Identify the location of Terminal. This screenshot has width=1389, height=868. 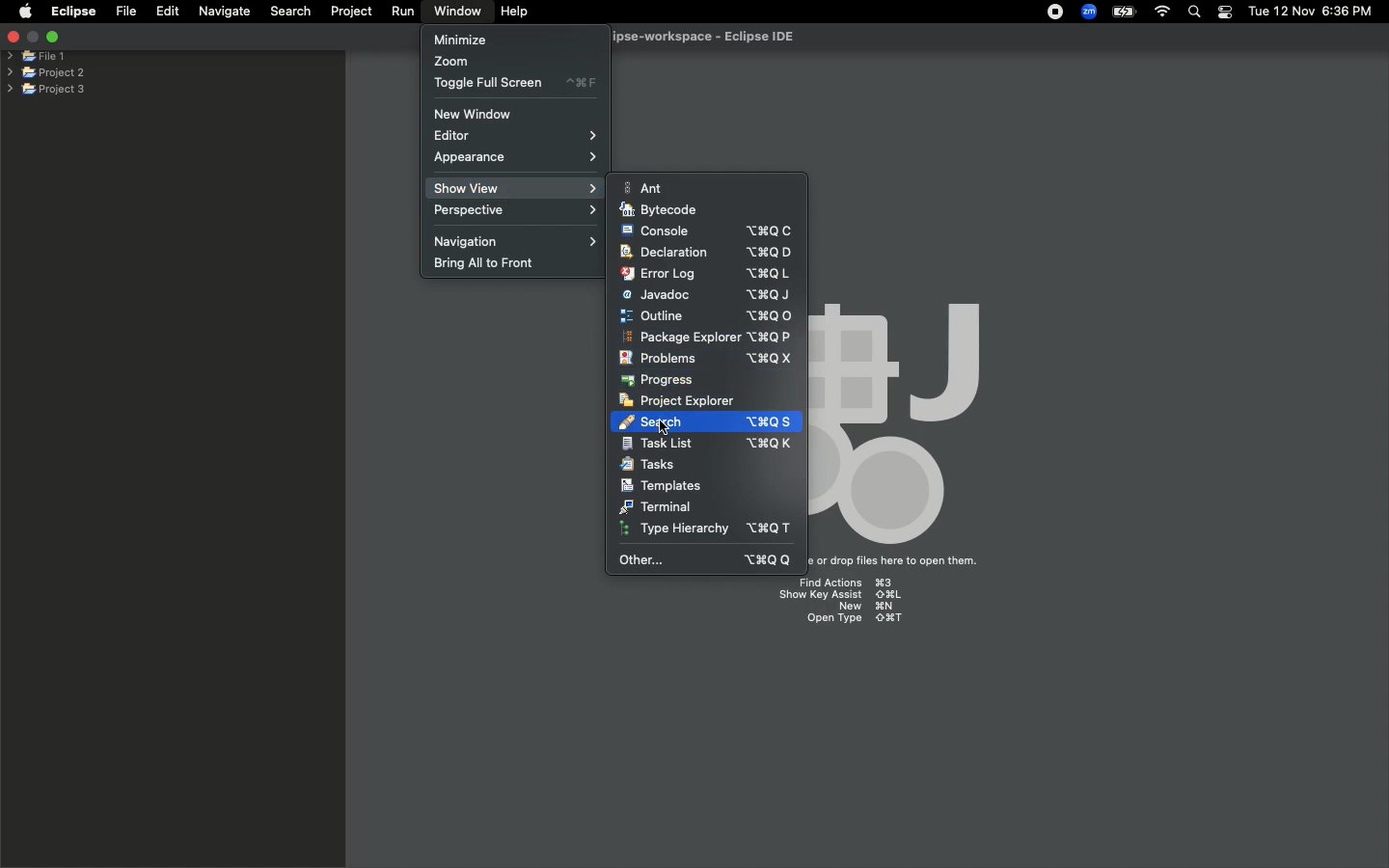
(657, 506).